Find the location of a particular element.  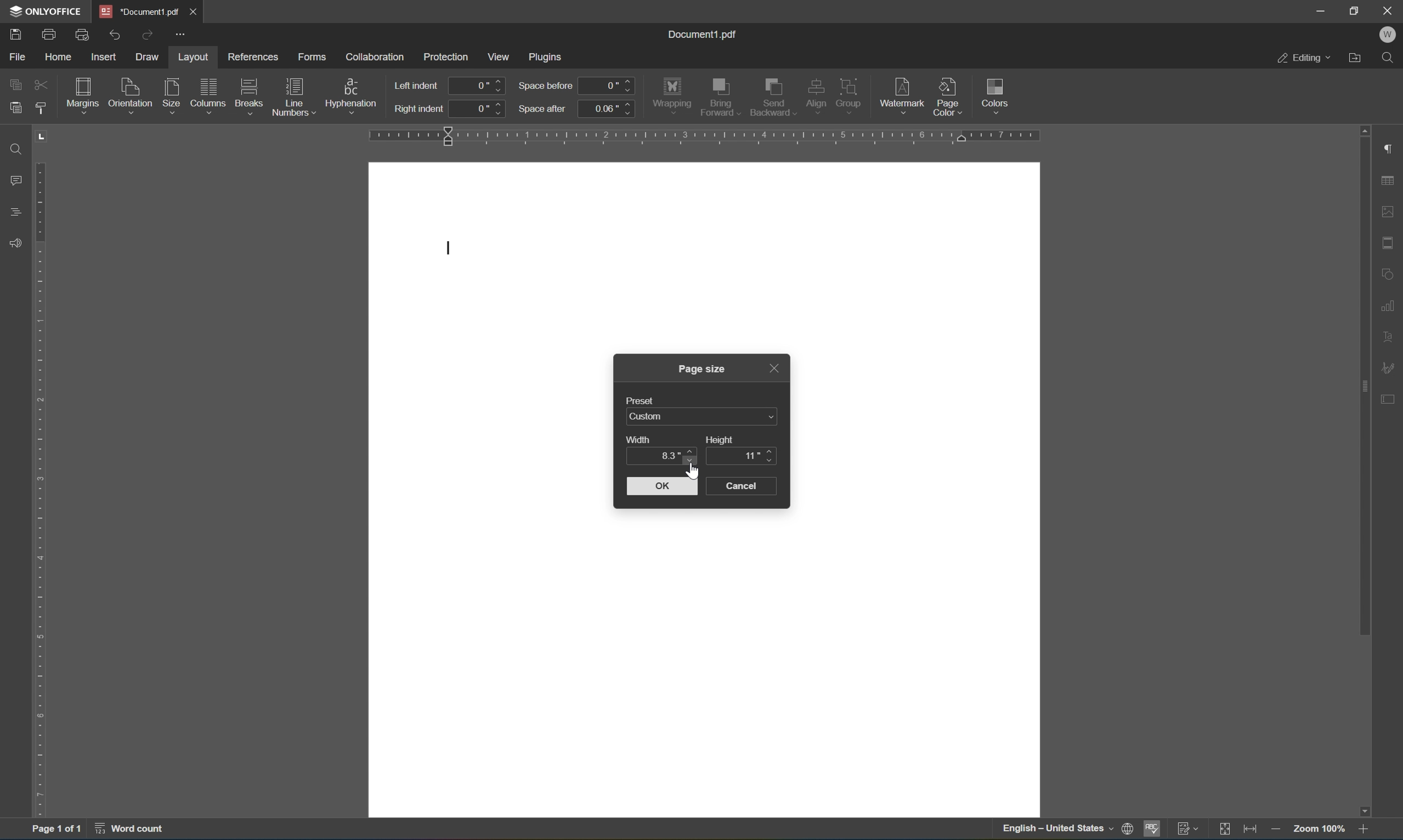

0 is located at coordinates (480, 108).